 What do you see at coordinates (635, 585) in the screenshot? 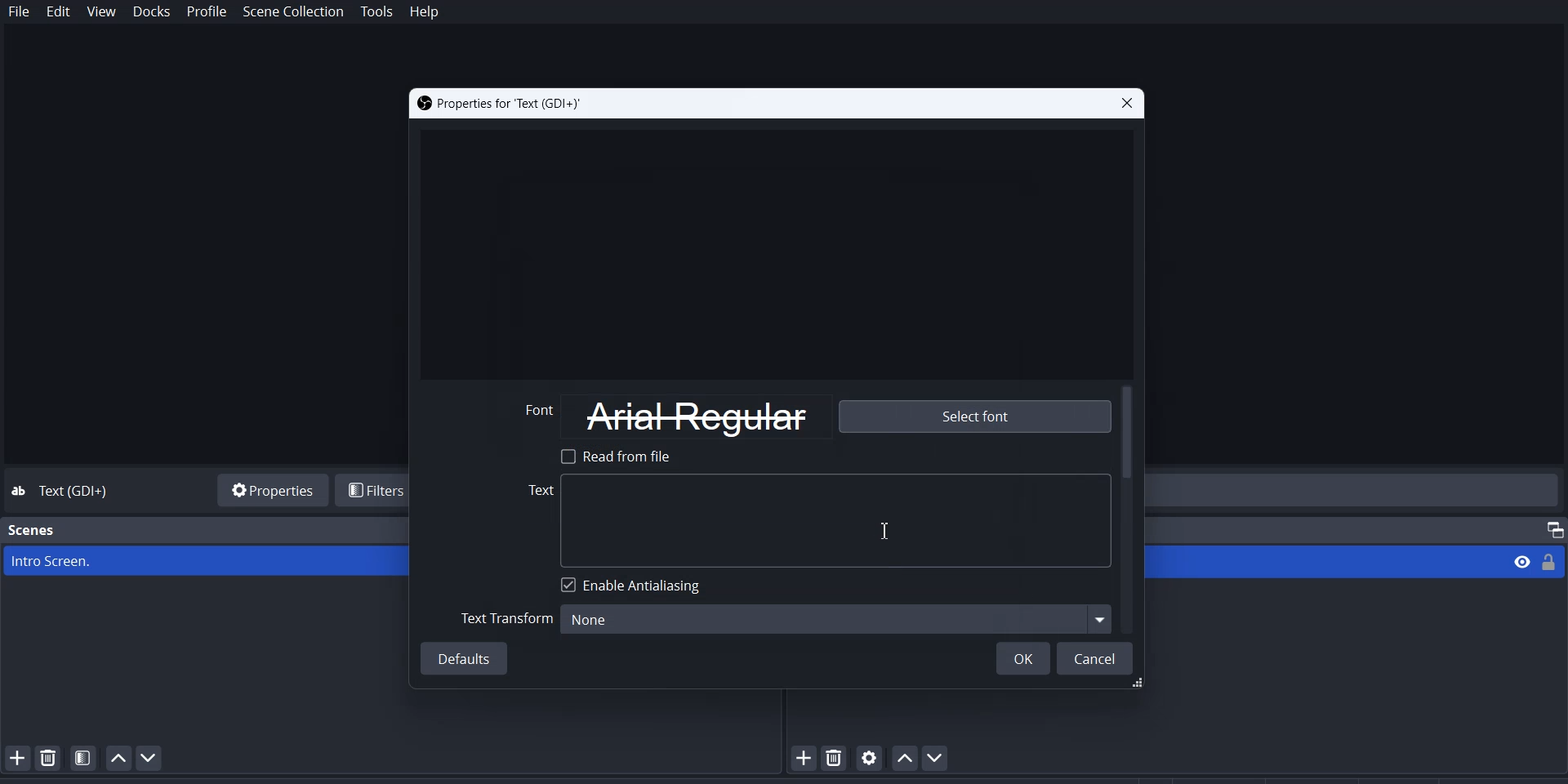
I see `Enable Antialiasing` at bounding box center [635, 585].